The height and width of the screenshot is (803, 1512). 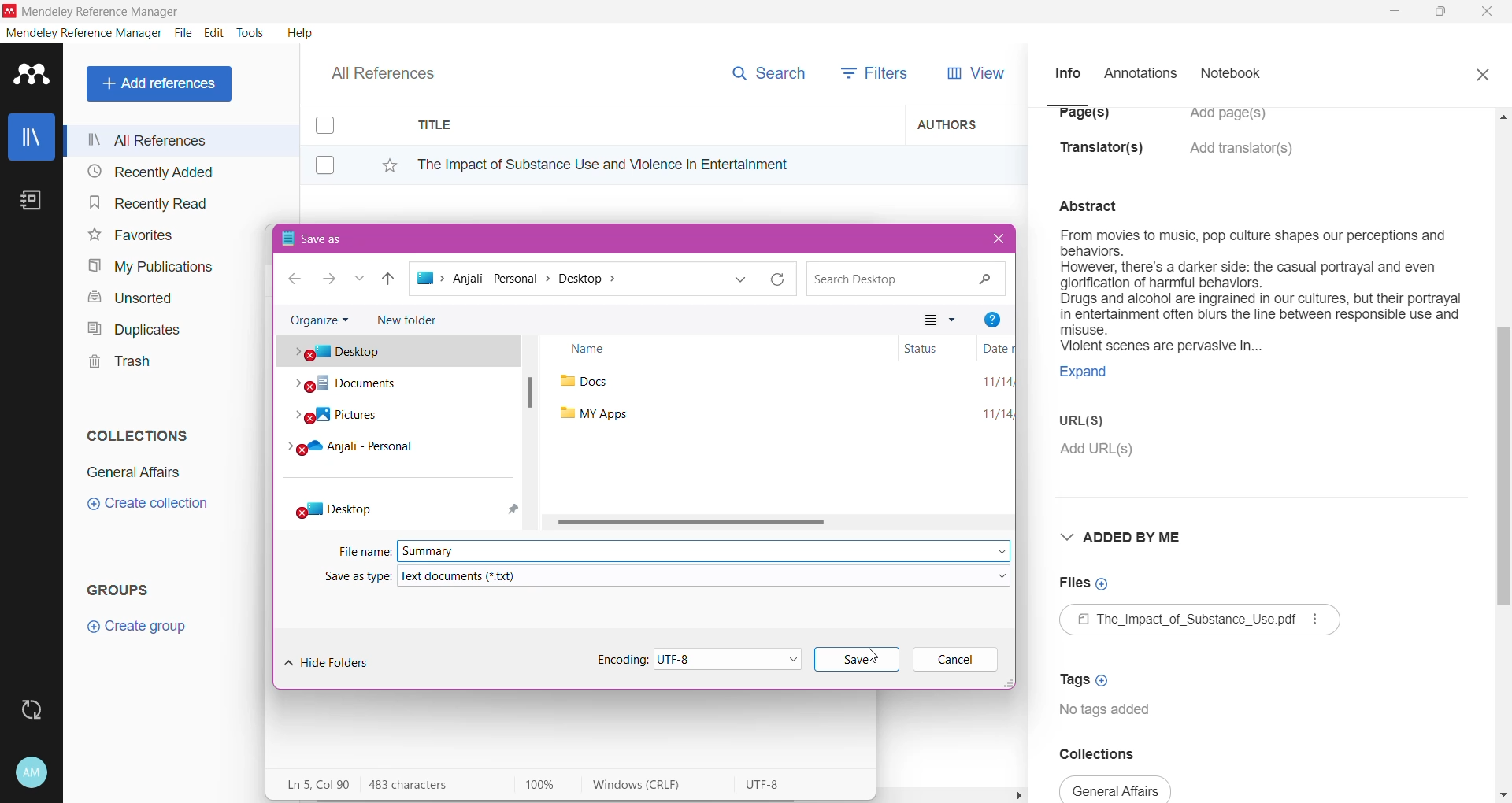 I want to click on Horizontal Scrol Bar, so click(x=783, y=524).